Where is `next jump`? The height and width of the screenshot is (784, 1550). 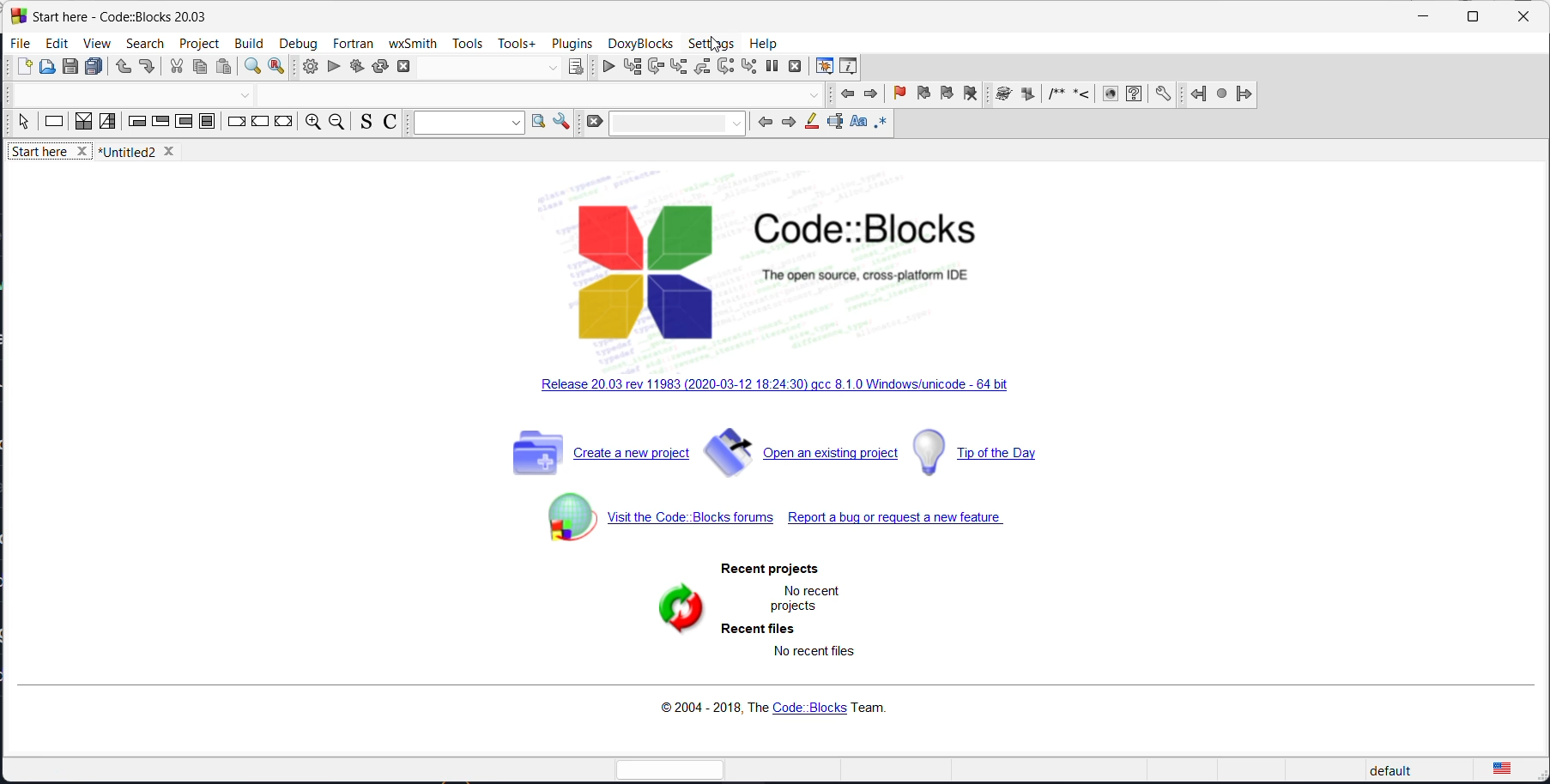 next jump is located at coordinates (1220, 96).